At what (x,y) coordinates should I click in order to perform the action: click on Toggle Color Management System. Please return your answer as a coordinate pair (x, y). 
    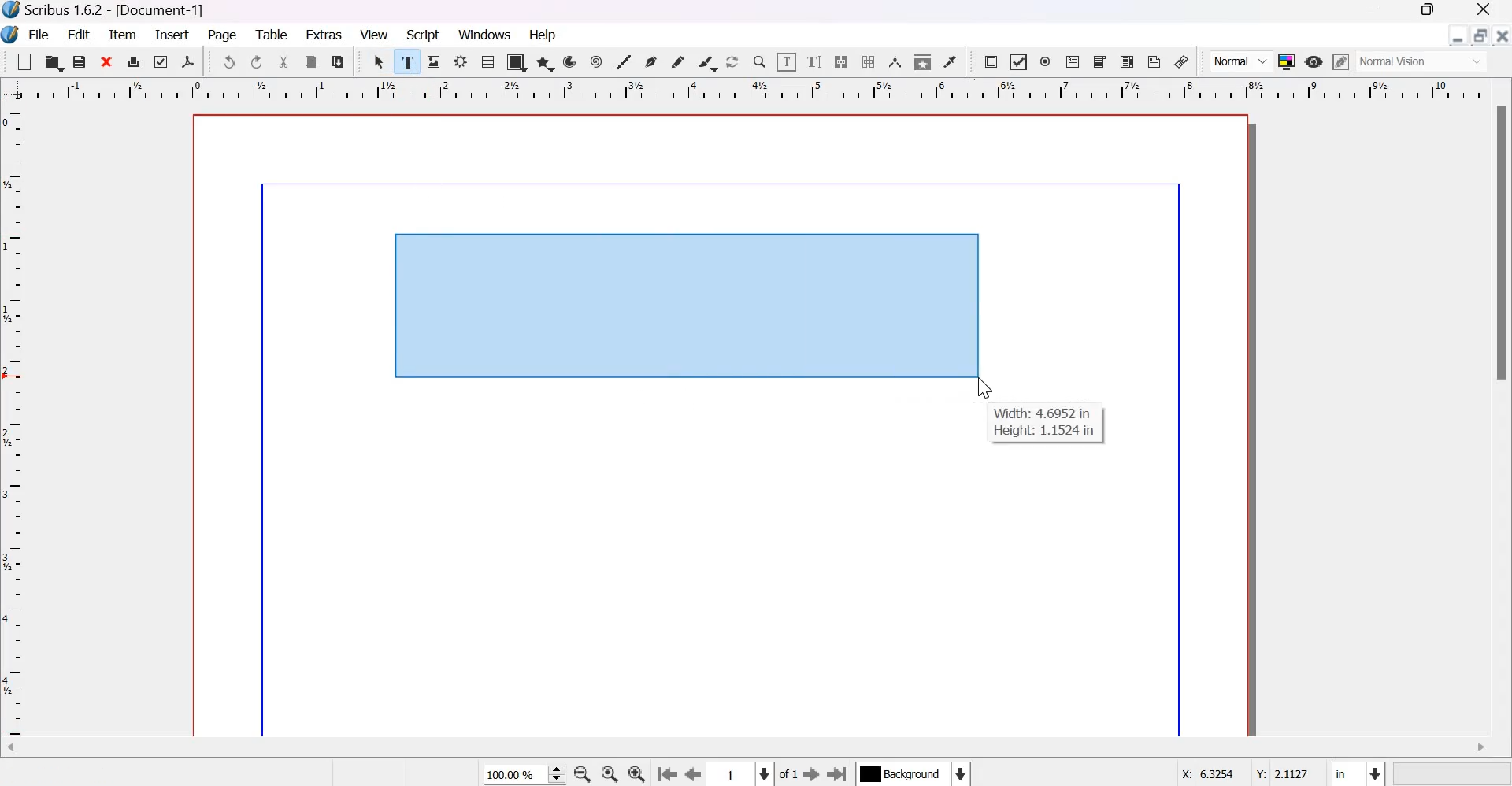
    Looking at the image, I should click on (1287, 61).